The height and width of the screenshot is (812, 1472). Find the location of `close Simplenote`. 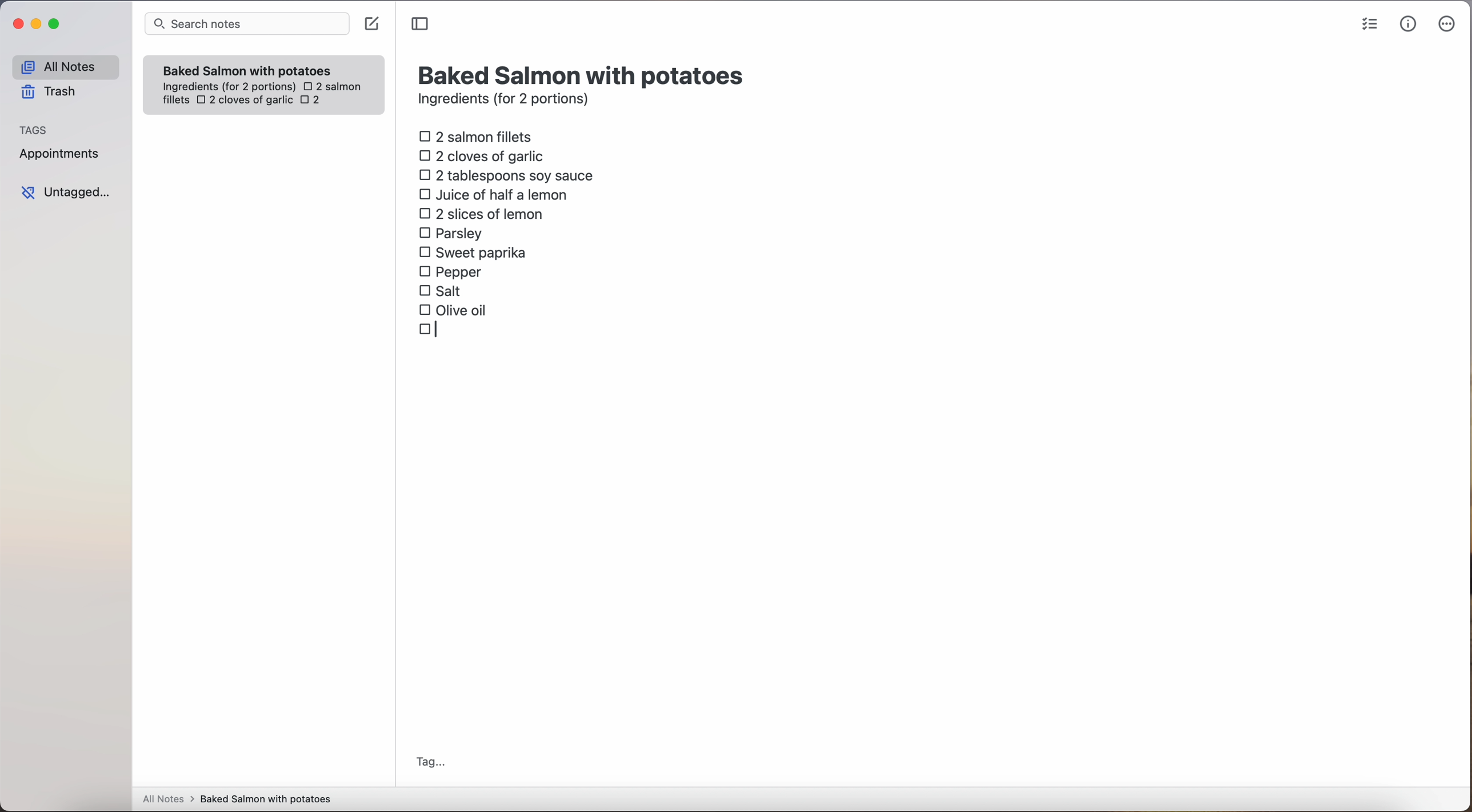

close Simplenote is located at coordinates (17, 25).